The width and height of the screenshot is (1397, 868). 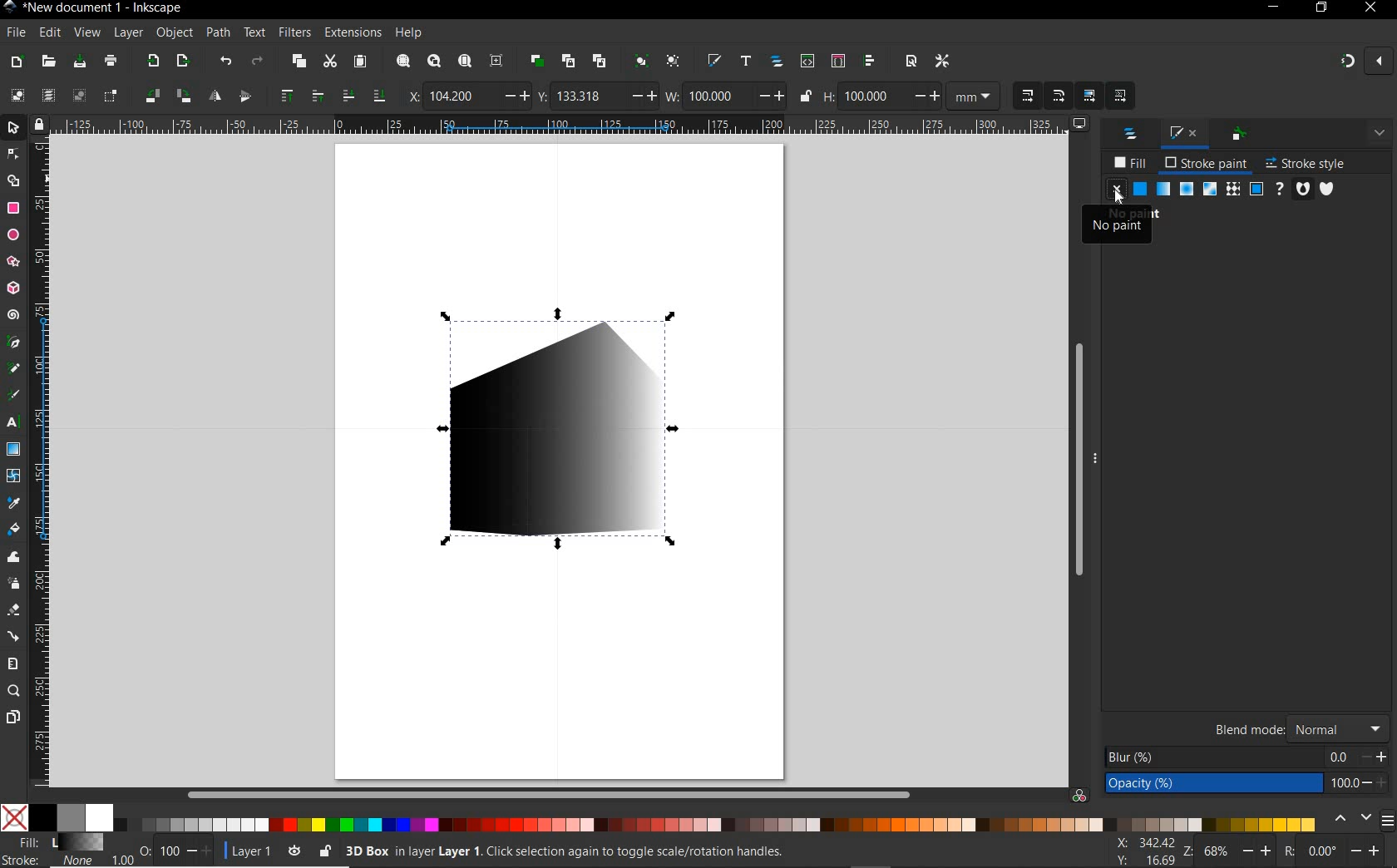 What do you see at coordinates (105, 8) in the screenshot?
I see `title` at bounding box center [105, 8].